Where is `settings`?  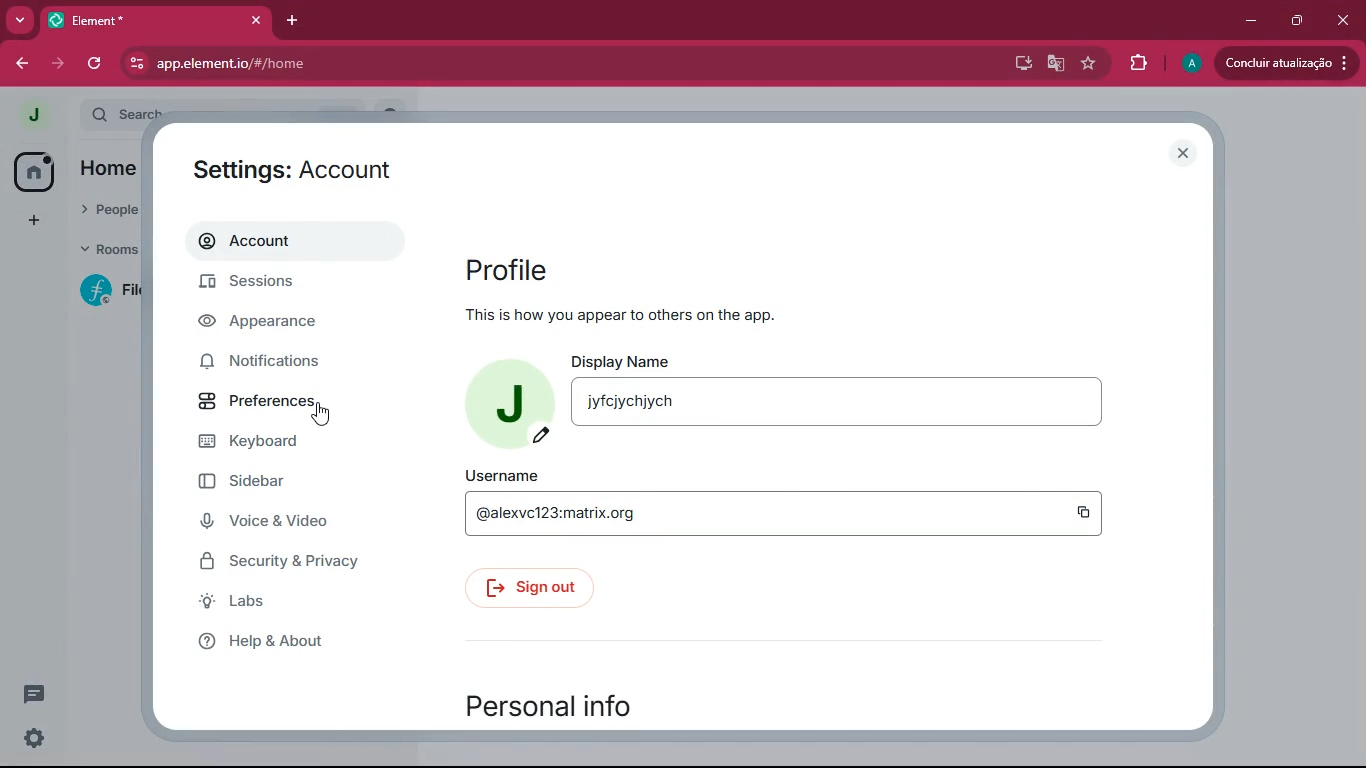
settings is located at coordinates (328, 168).